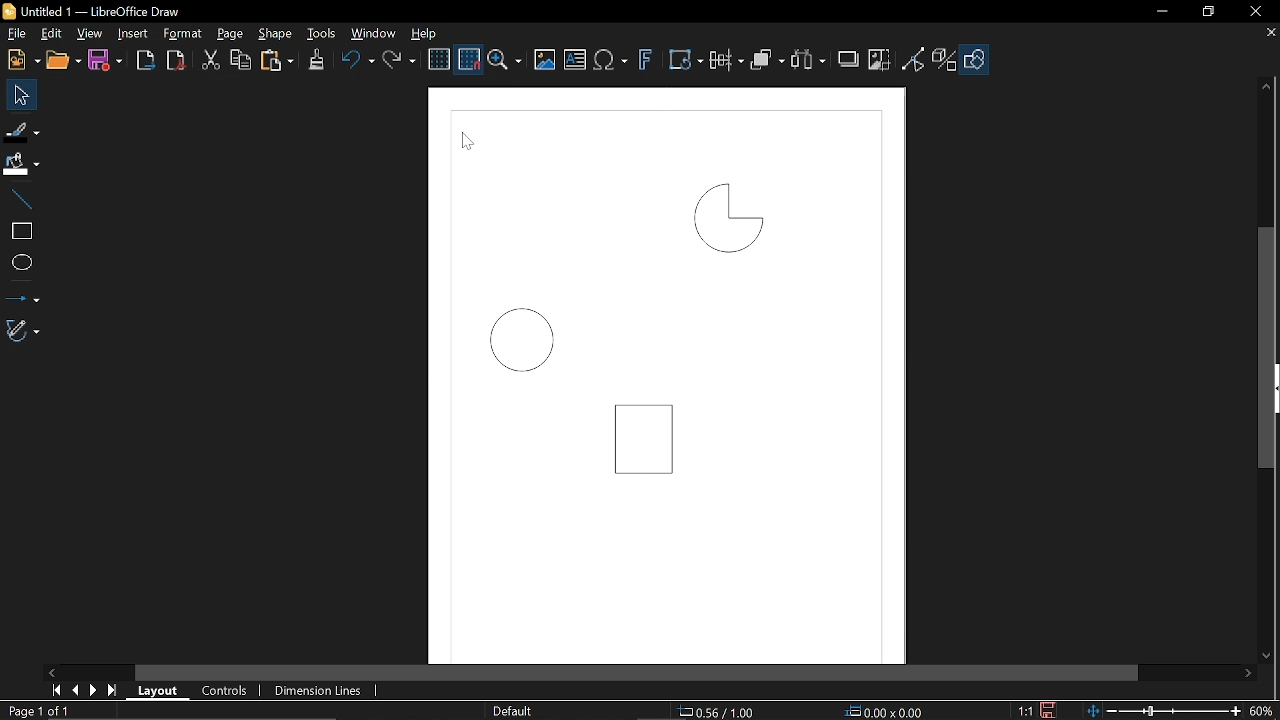  What do you see at coordinates (146, 60) in the screenshot?
I see `Export` at bounding box center [146, 60].